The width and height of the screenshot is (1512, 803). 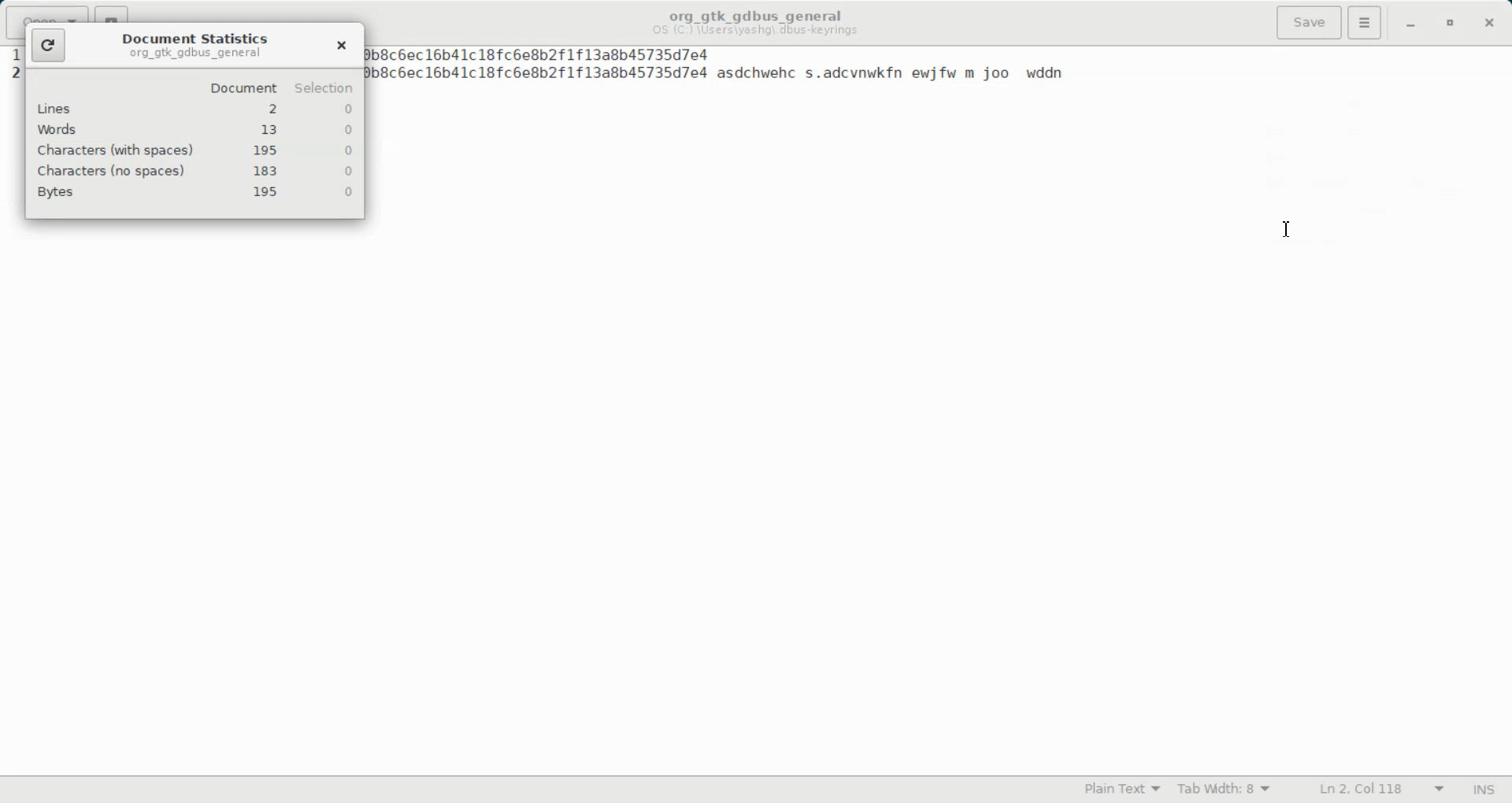 What do you see at coordinates (348, 171) in the screenshot?
I see `0` at bounding box center [348, 171].